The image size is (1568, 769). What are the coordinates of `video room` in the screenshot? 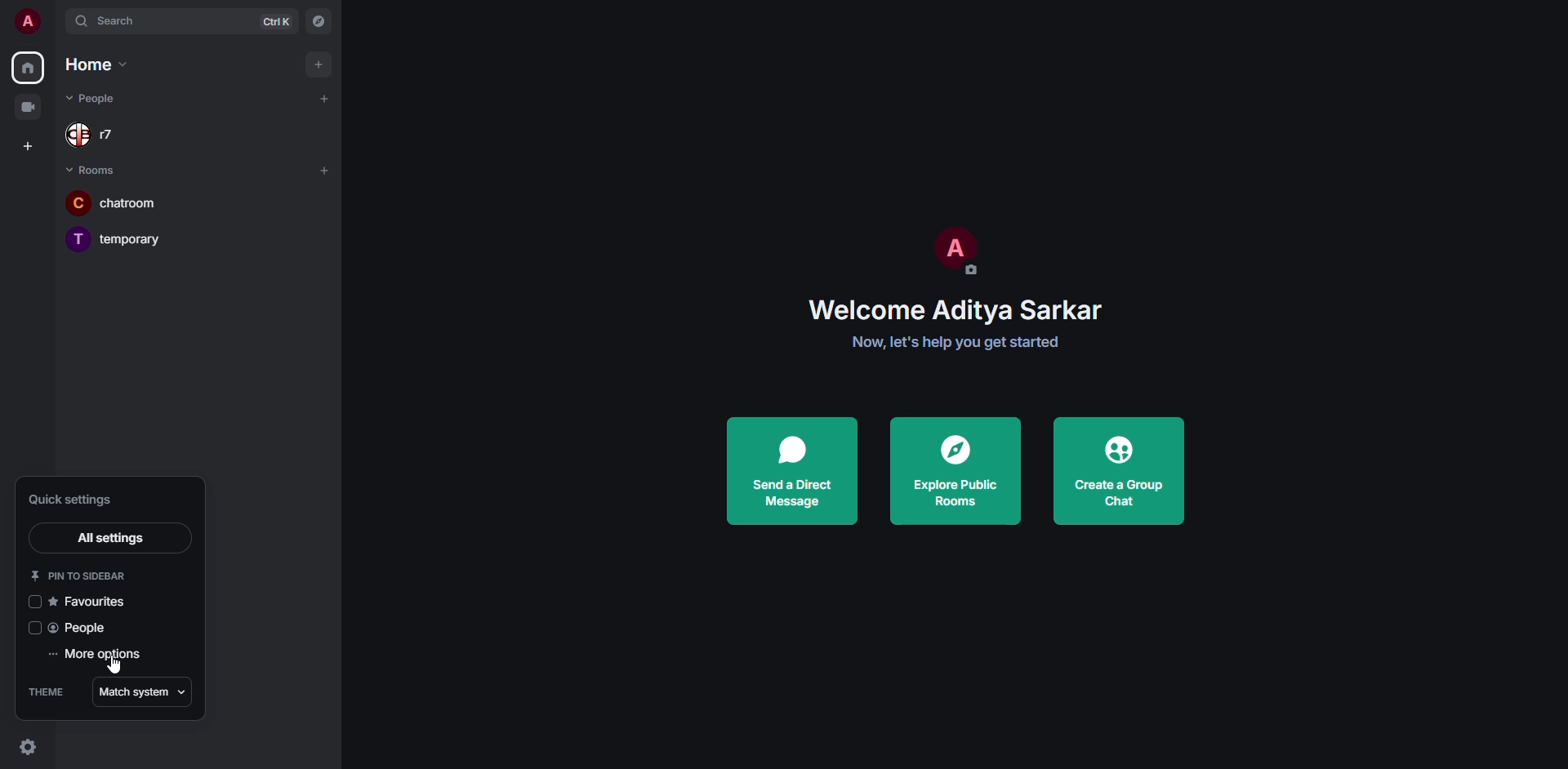 It's located at (33, 105).